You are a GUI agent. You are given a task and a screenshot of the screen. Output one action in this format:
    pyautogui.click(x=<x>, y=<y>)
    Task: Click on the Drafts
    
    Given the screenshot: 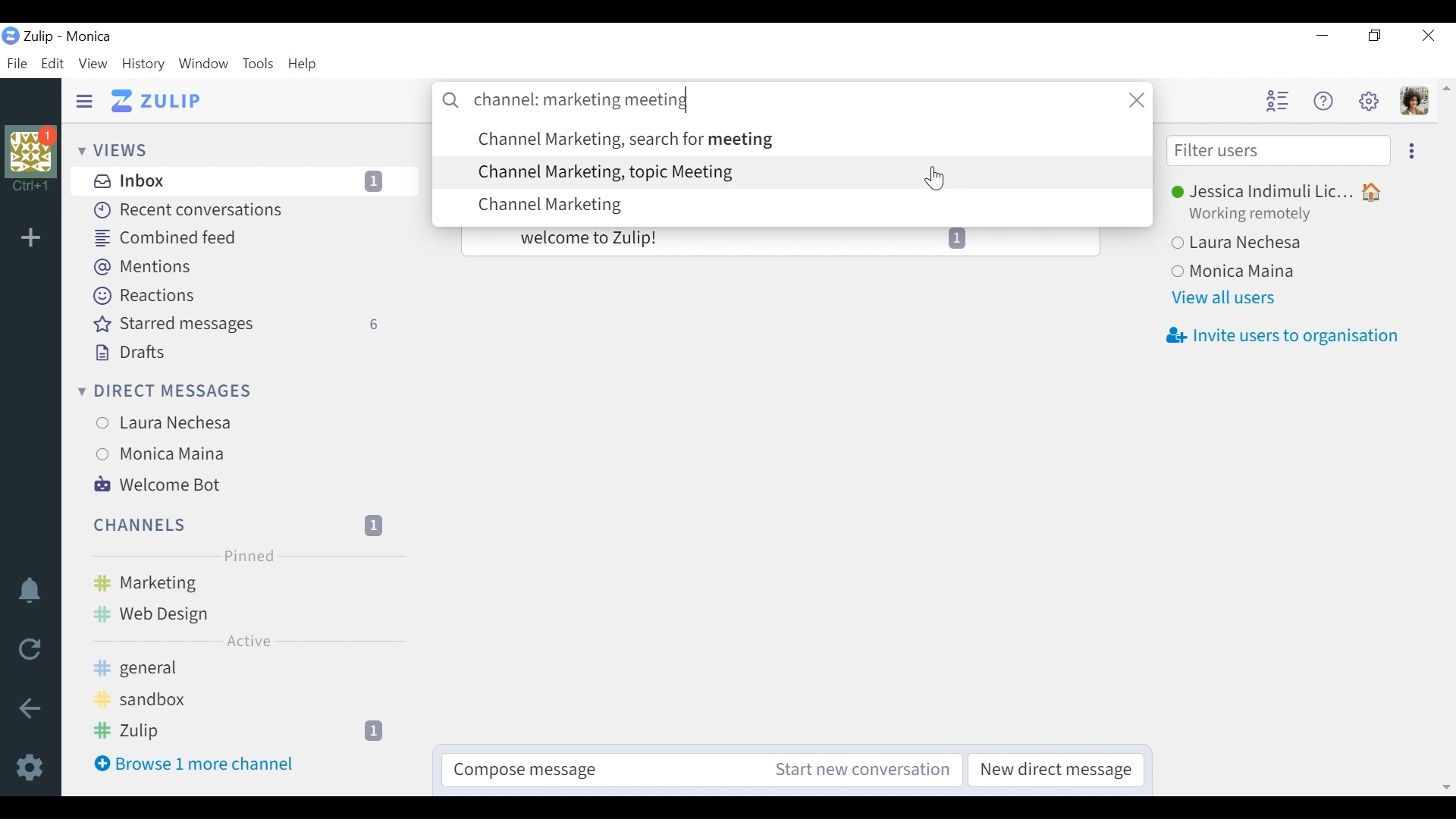 What is the action you would take?
    pyautogui.click(x=130, y=351)
    